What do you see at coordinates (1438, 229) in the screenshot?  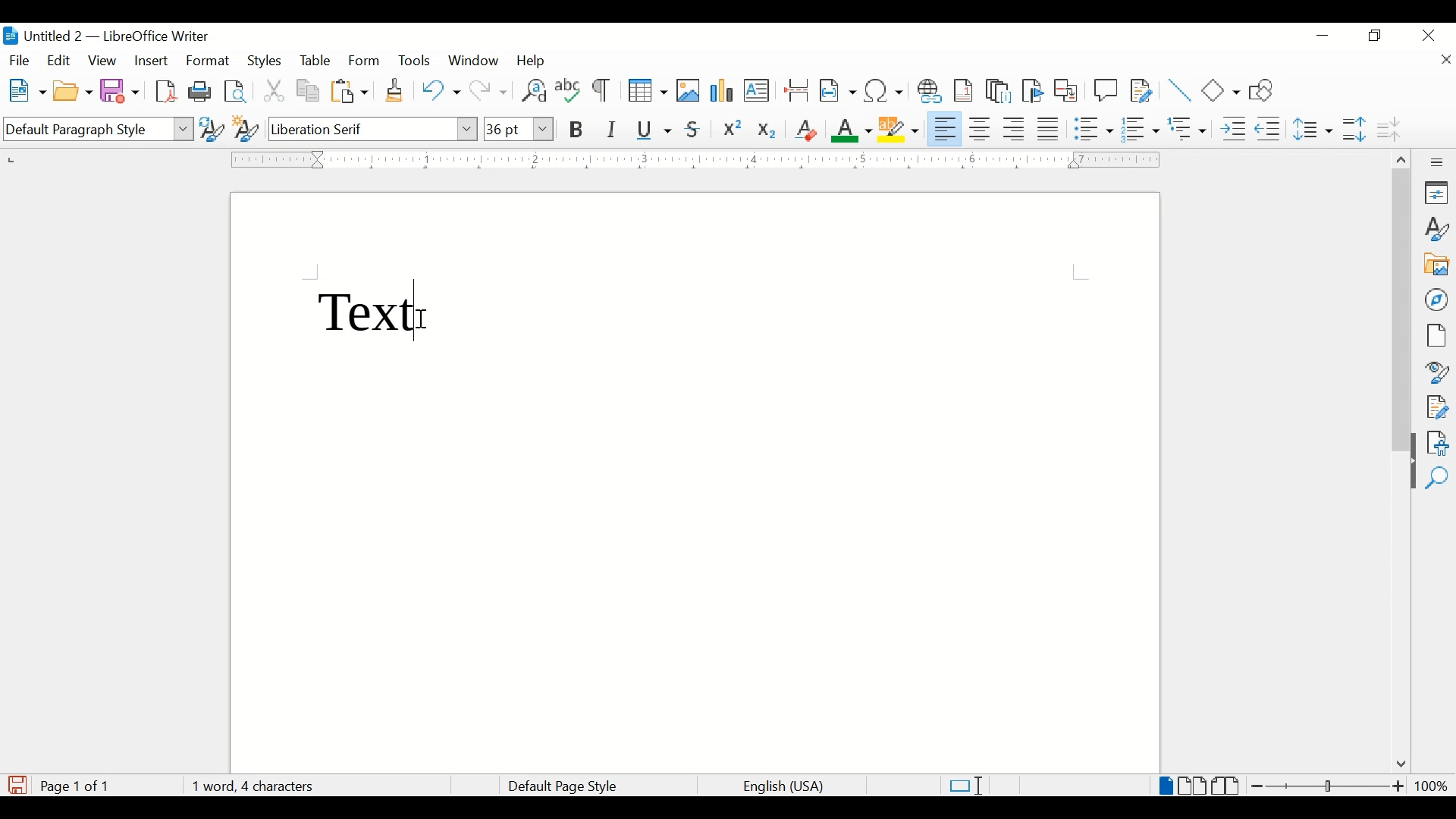 I see `styles` at bounding box center [1438, 229].